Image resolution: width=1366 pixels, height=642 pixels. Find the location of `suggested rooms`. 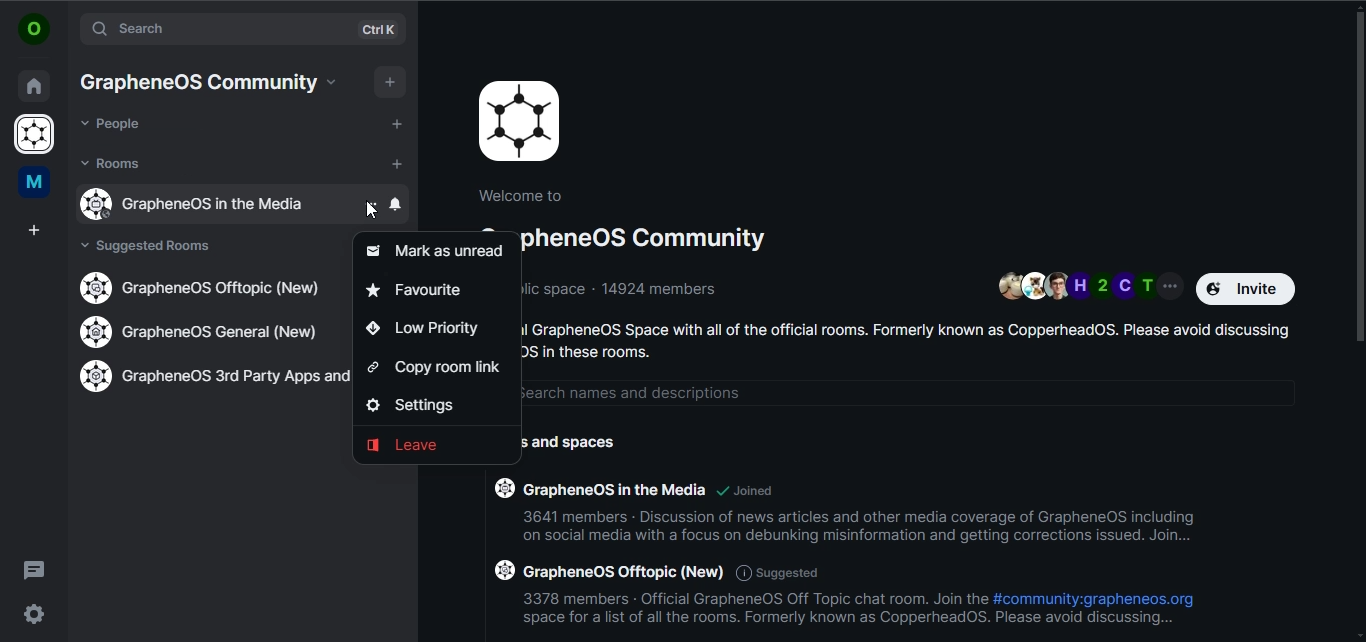

suggested rooms is located at coordinates (154, 247).